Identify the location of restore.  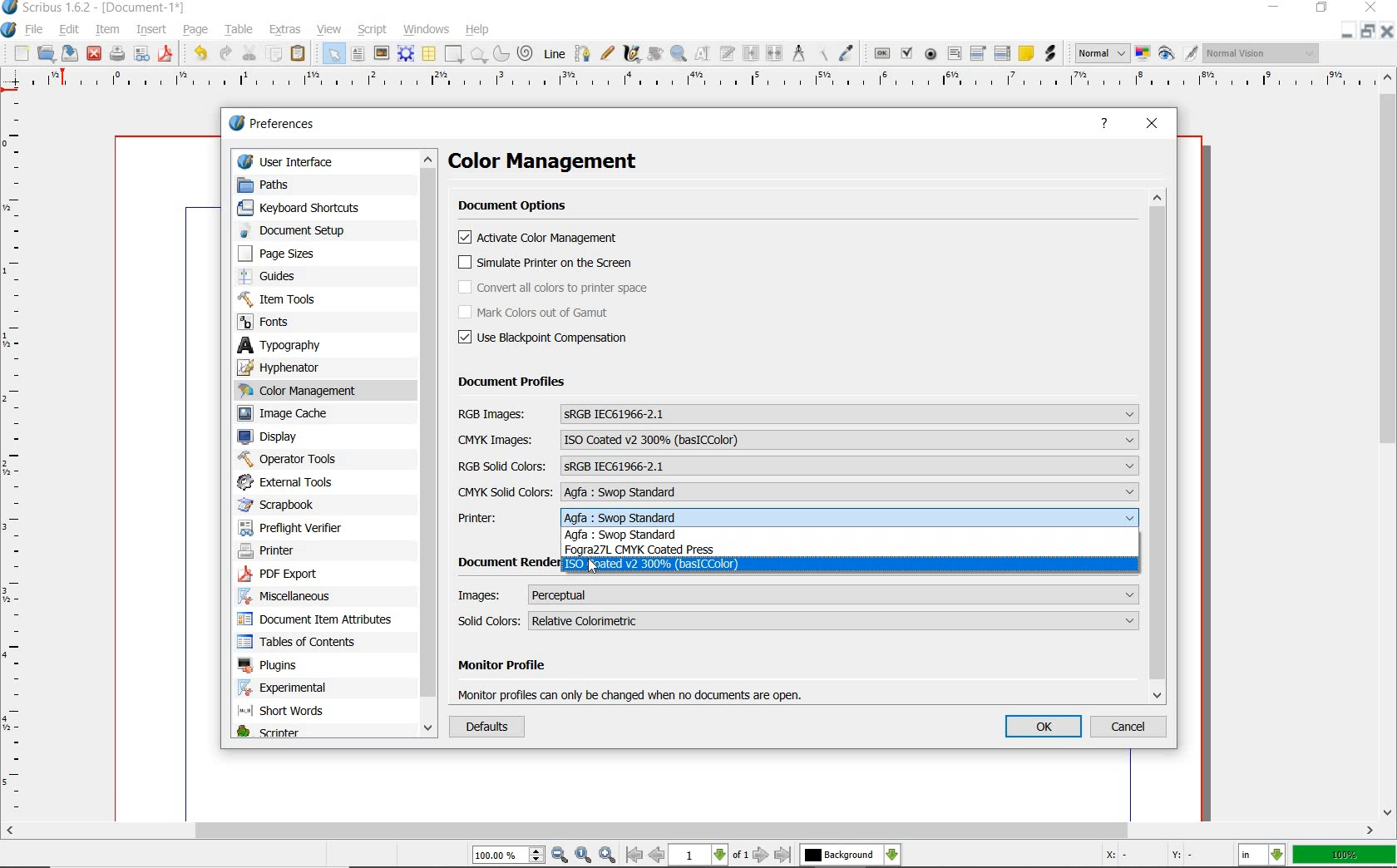
(1369, 33).